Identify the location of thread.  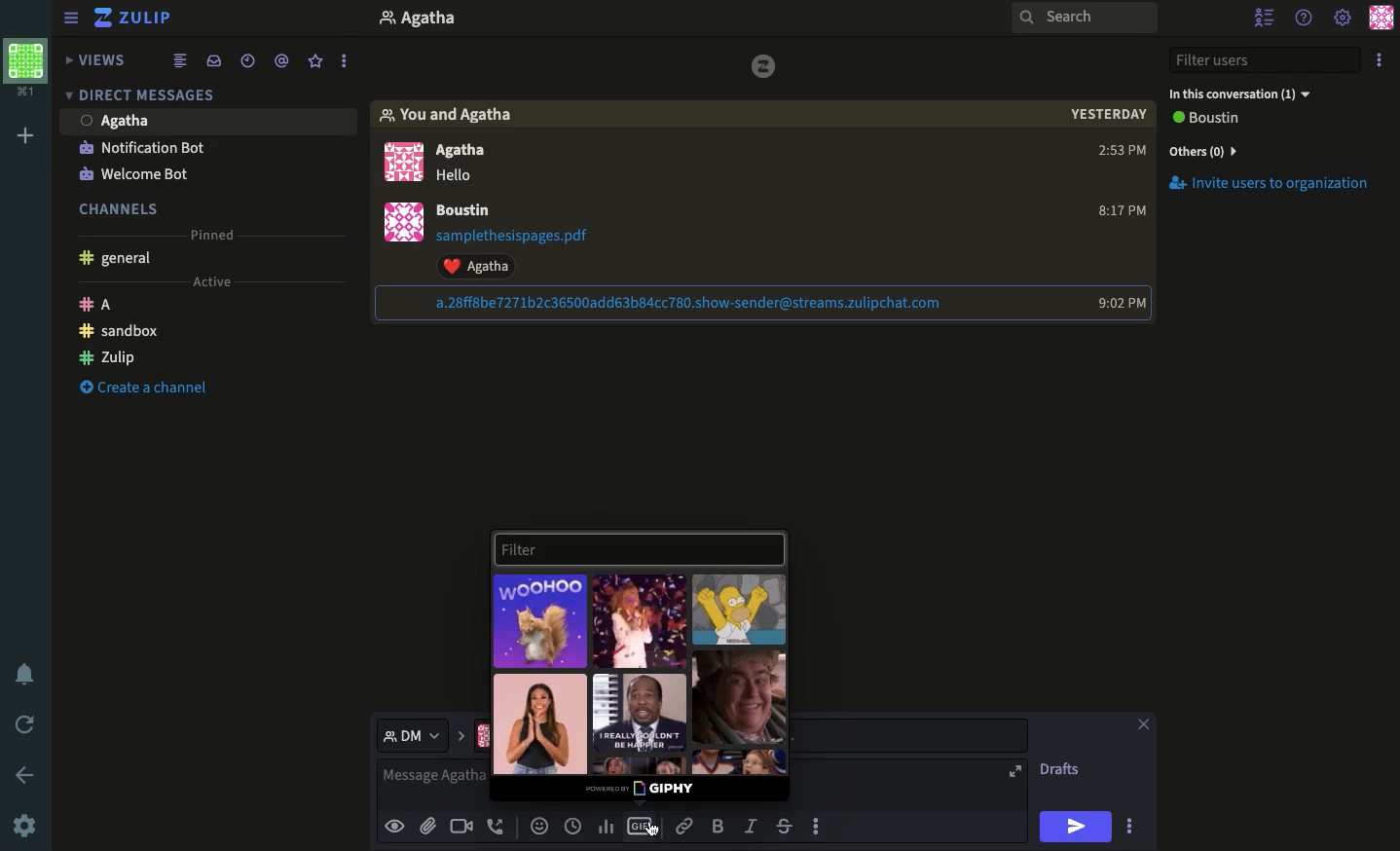
(285, 62).